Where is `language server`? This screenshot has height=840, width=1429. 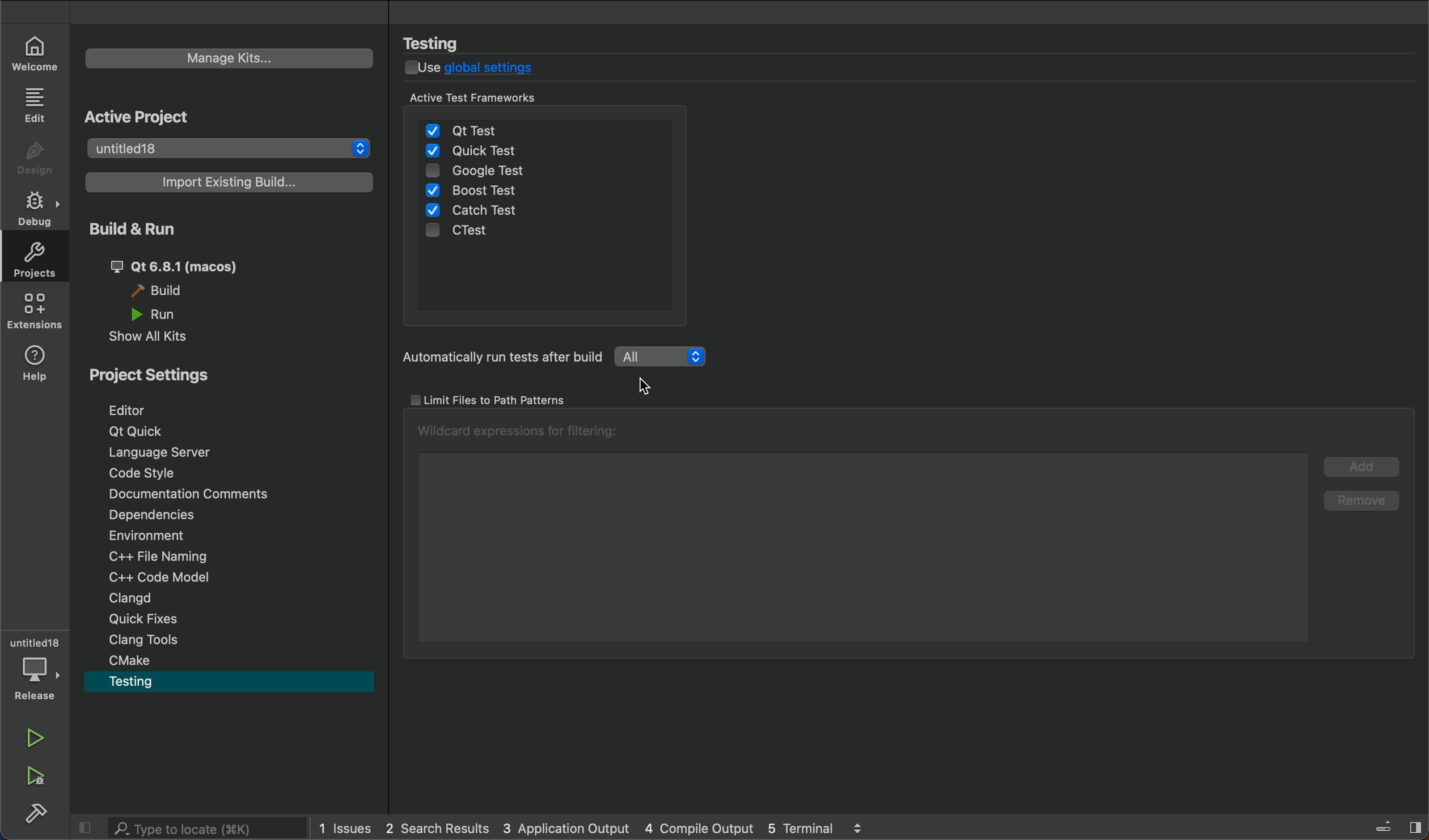 language server is located at coordinates (164, 454).